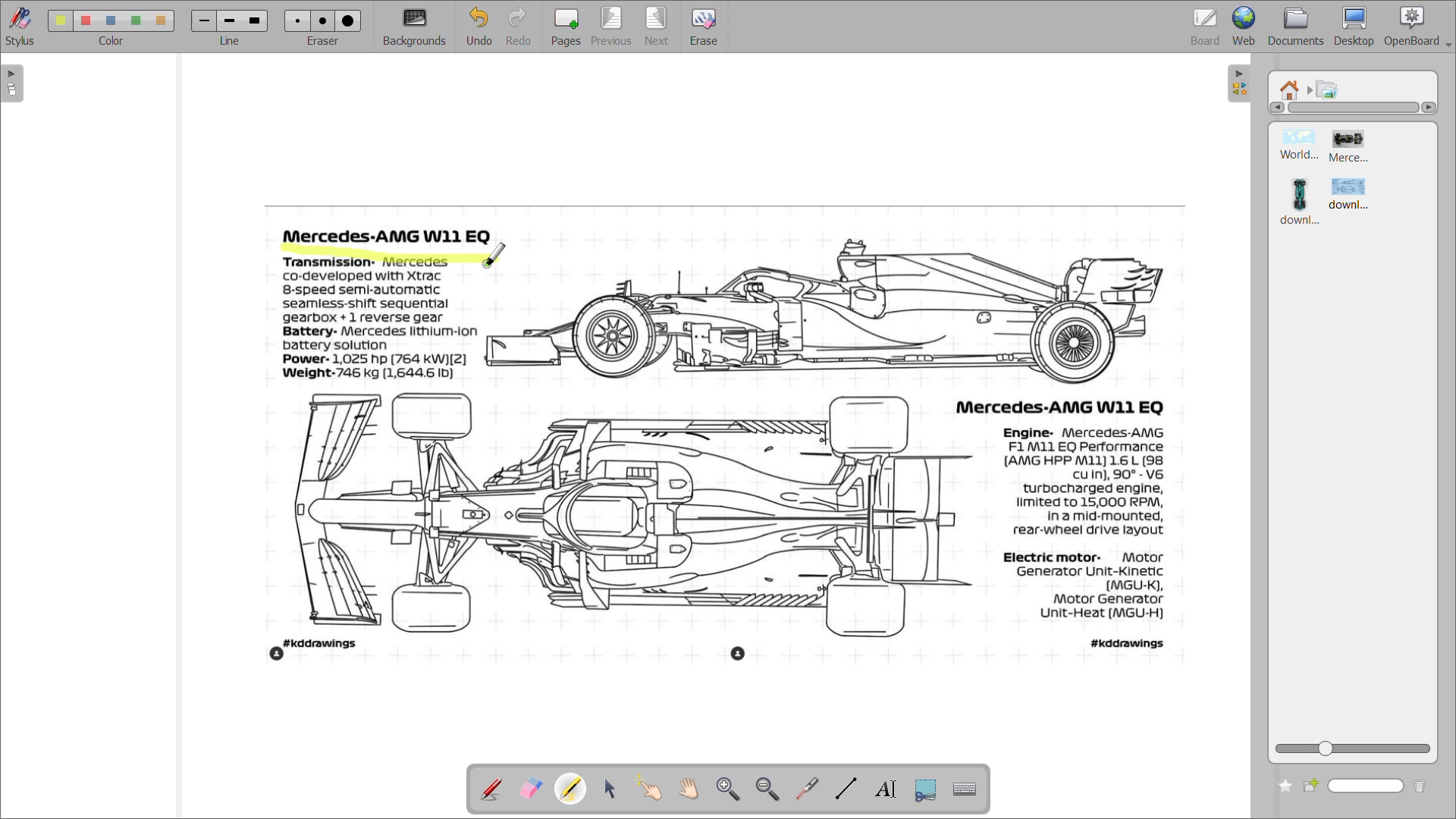 The image size is (1456, 819). I want to click on web, so click(1247, 26).